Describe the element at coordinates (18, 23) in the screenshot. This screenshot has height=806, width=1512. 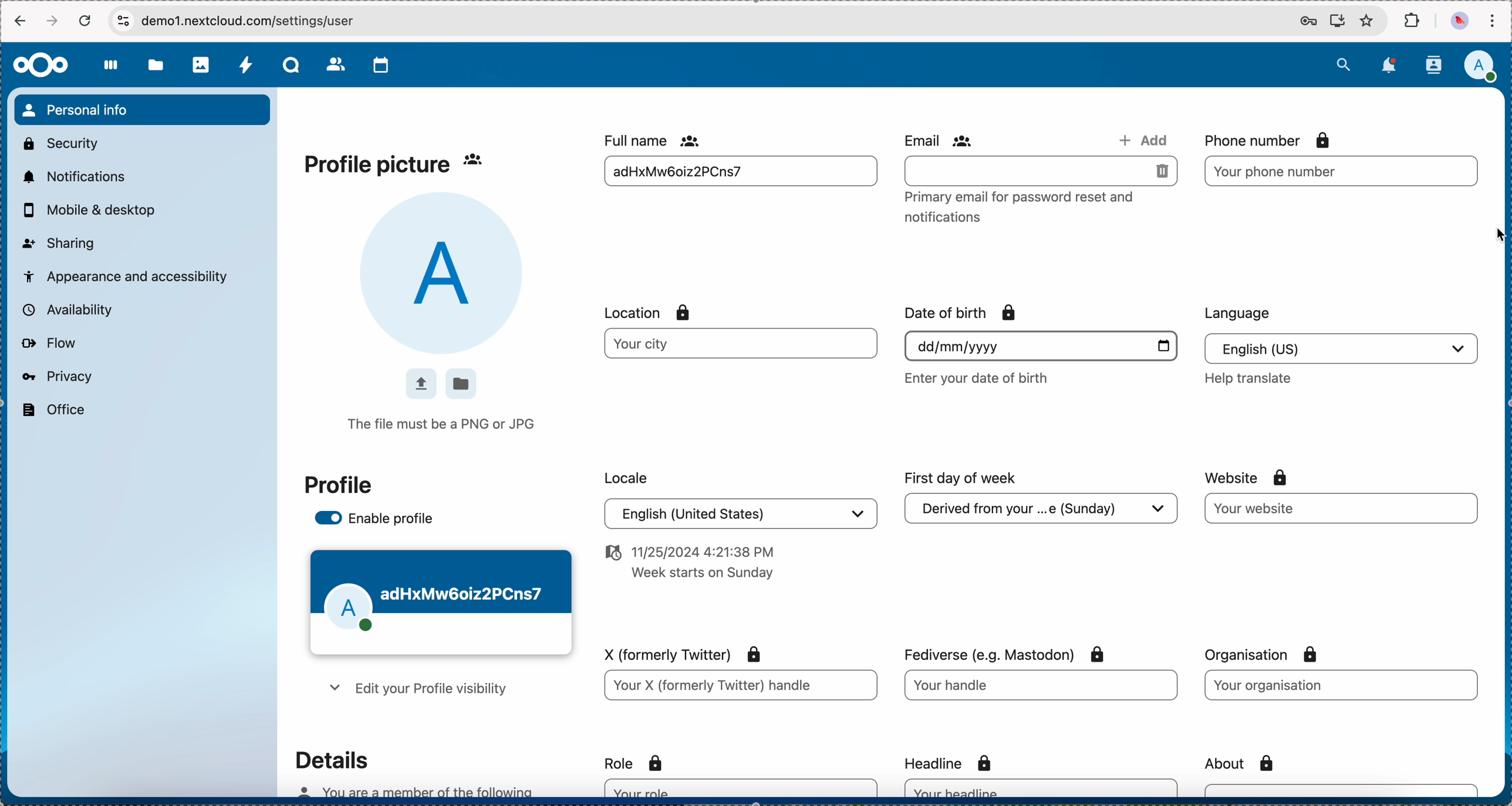
I see `navigate back` at that location.